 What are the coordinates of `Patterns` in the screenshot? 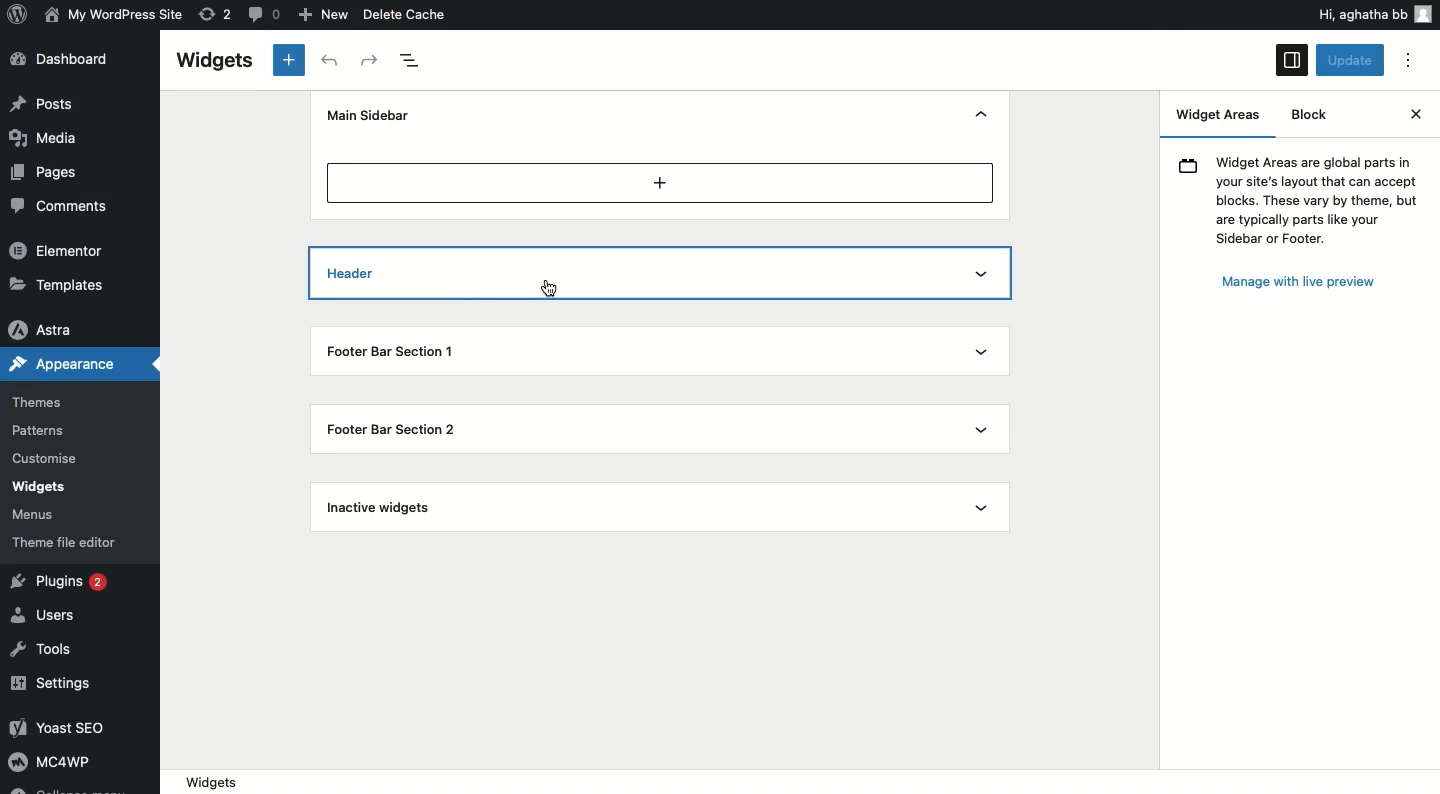 It's located at (41, 430).